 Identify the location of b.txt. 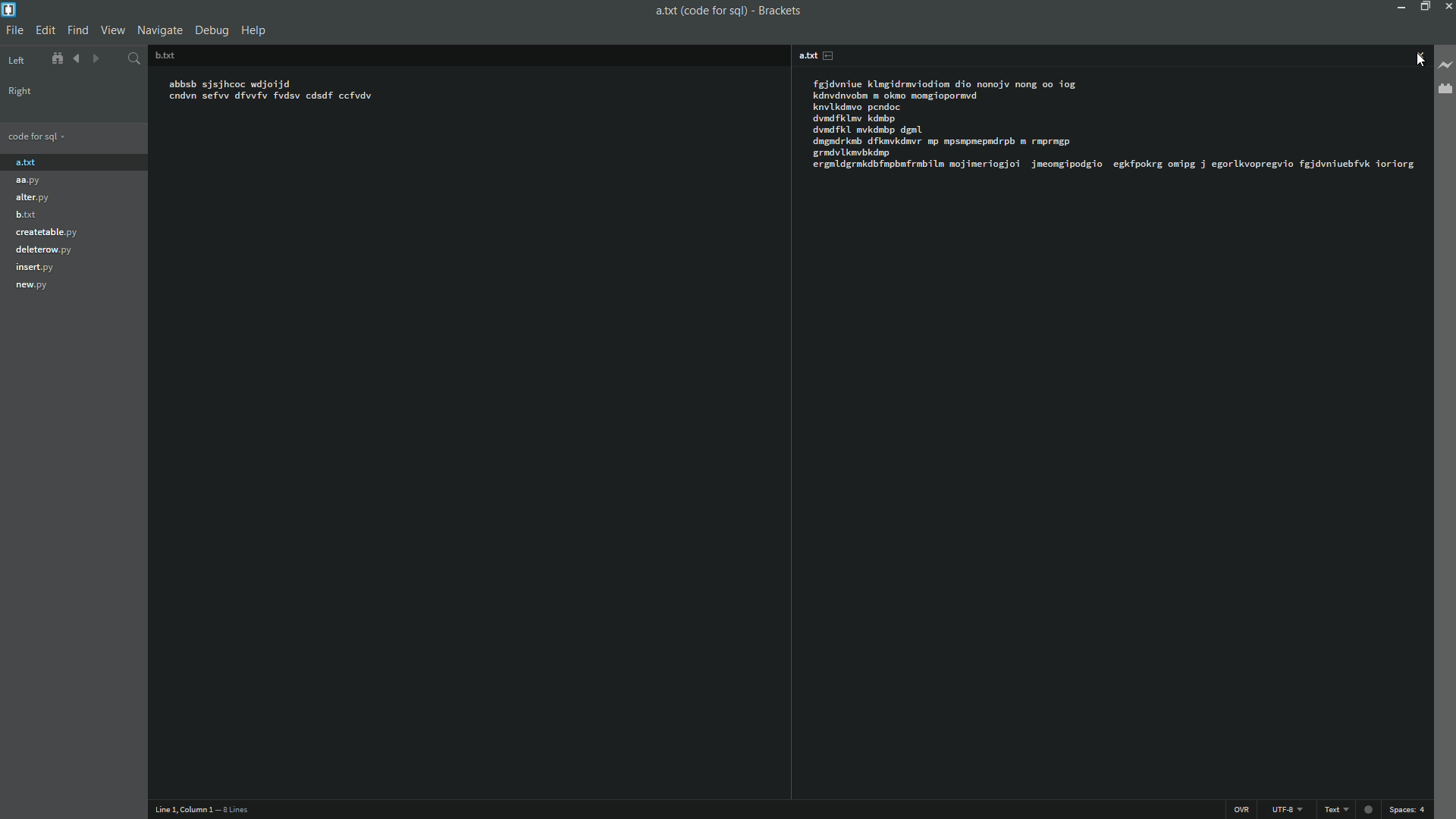
(26, 215).